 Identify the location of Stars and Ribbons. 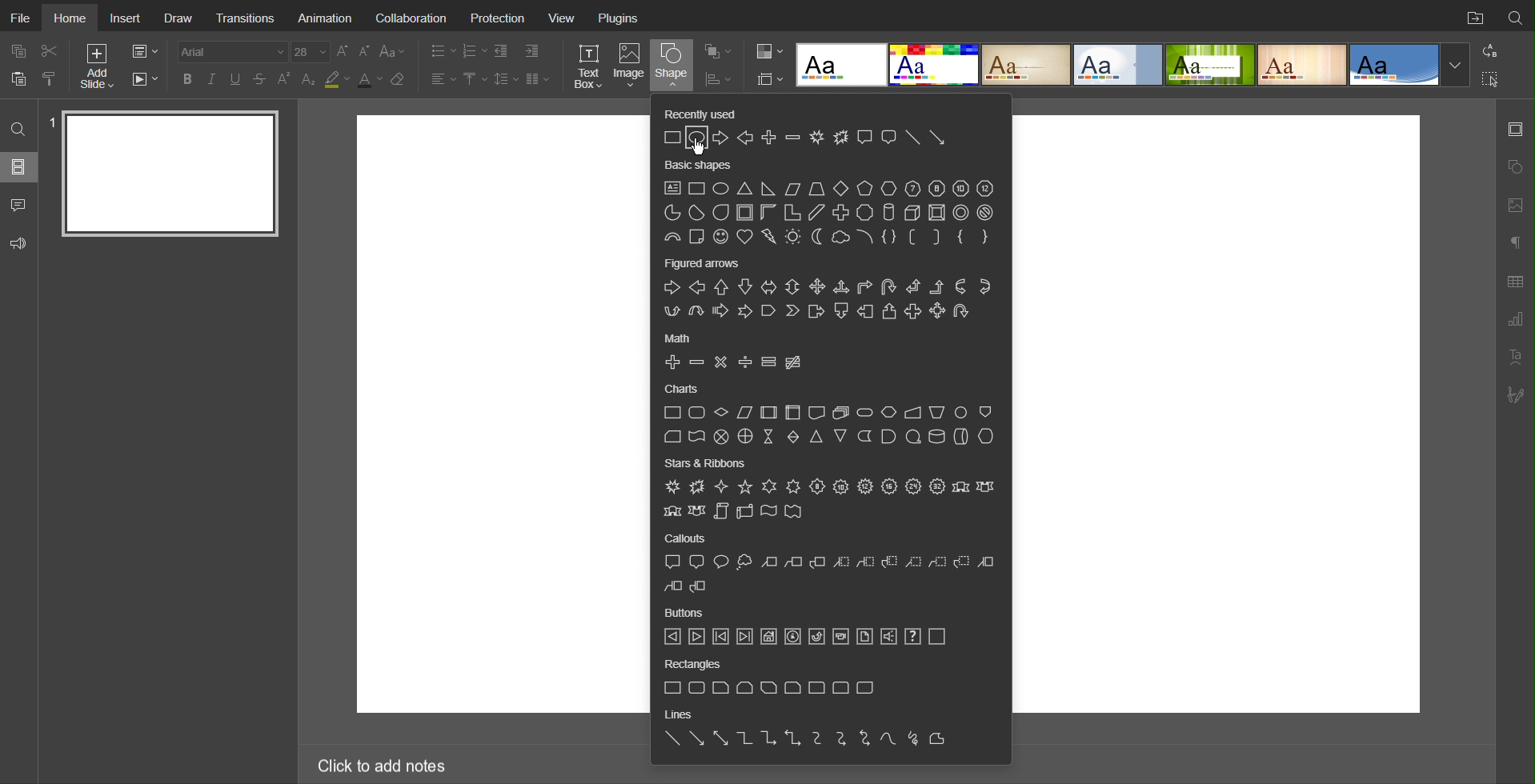
(829, 490).